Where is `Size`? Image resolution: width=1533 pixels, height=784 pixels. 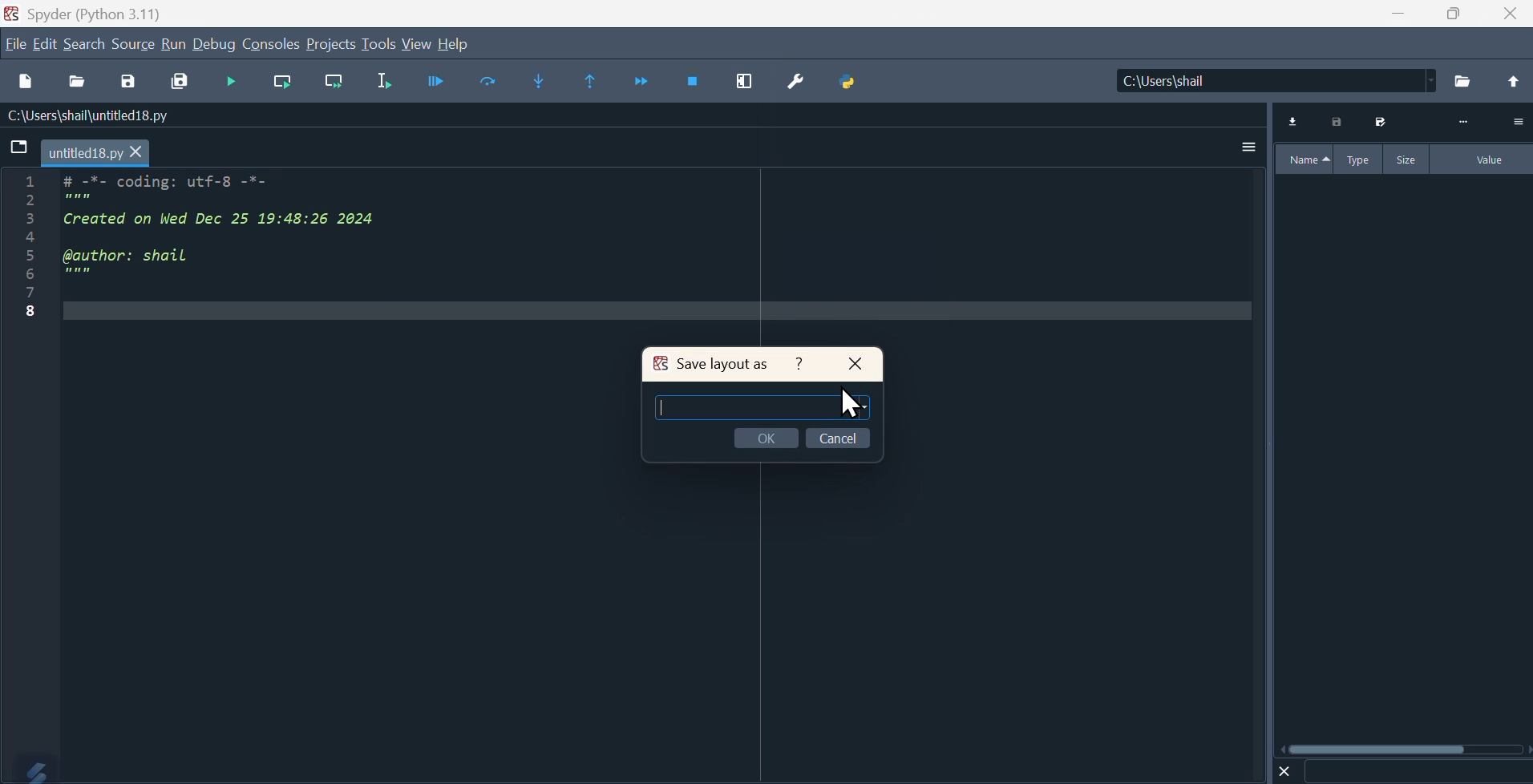
Size is located at coordinates (1408, 159).